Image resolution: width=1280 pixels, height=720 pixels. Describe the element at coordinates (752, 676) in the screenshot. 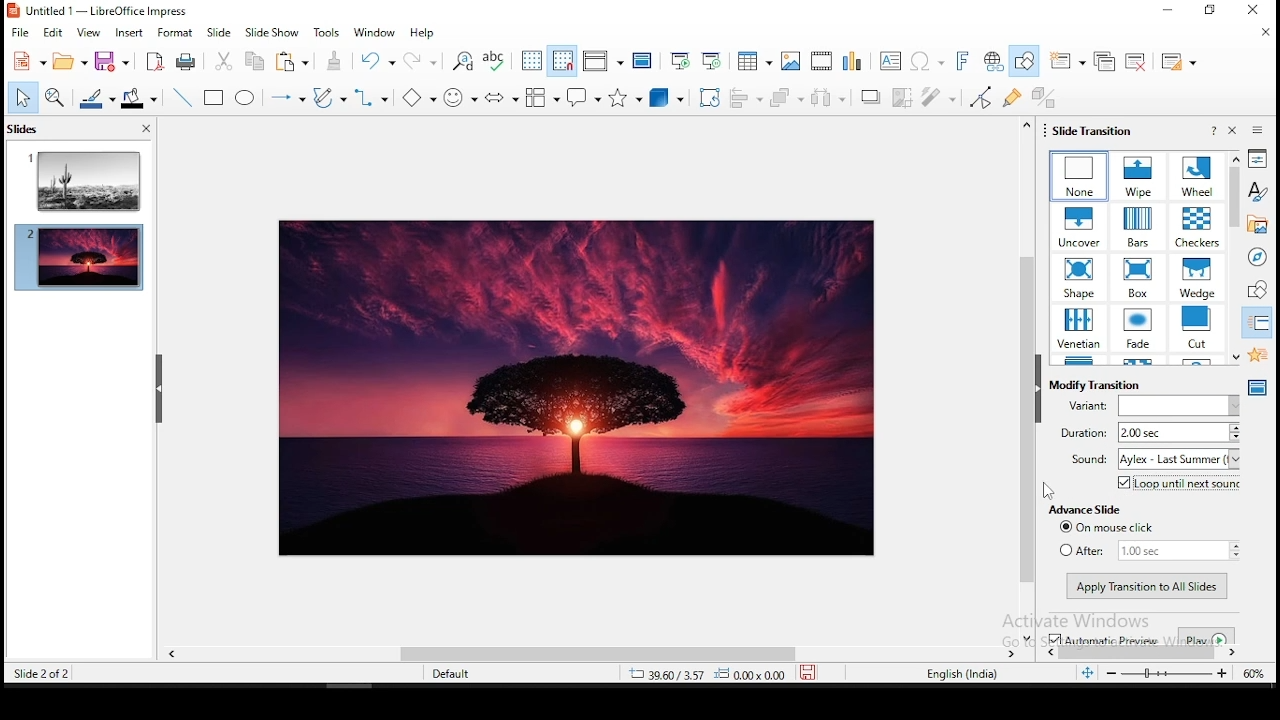

I see `0.00x0.00` at that location.